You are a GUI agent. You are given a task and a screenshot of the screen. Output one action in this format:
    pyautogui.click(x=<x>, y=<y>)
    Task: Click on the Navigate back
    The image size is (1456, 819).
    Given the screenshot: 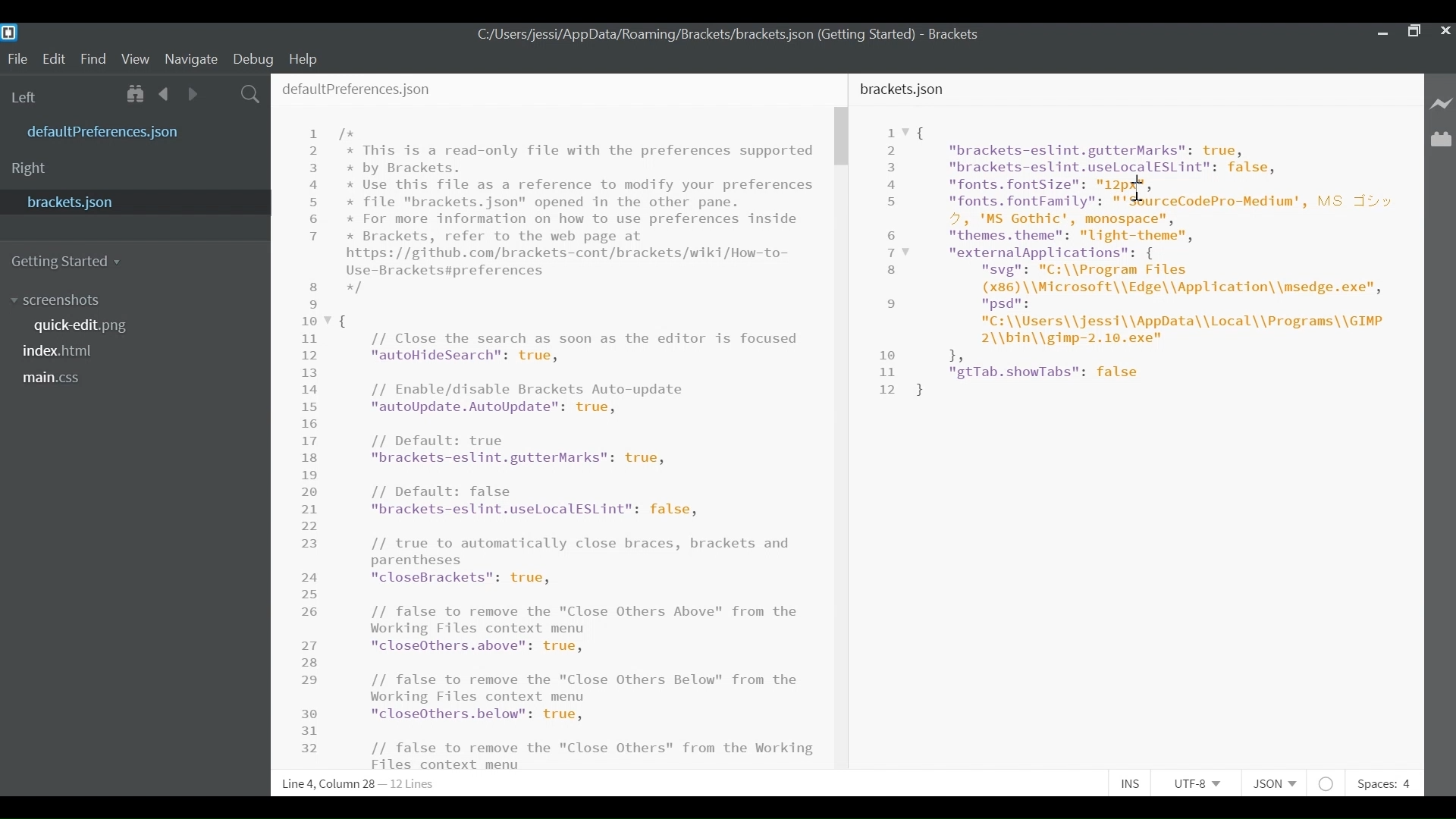 What is the action you would take?
    pyautogui.click(x=165, y=95)
    